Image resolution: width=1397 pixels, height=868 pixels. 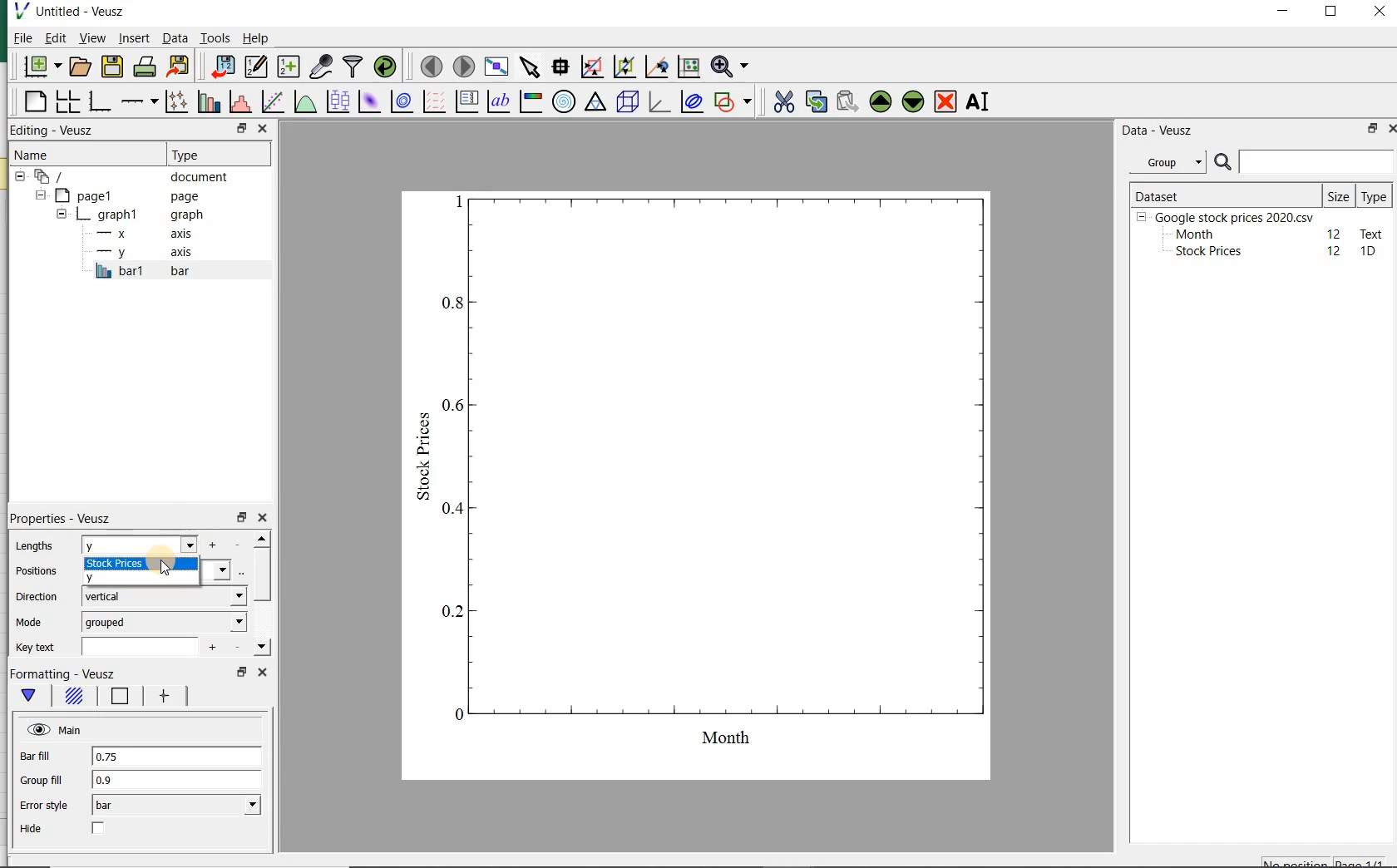 I want to click on click to zoom out of graph axes, so click(x=623, y=65).